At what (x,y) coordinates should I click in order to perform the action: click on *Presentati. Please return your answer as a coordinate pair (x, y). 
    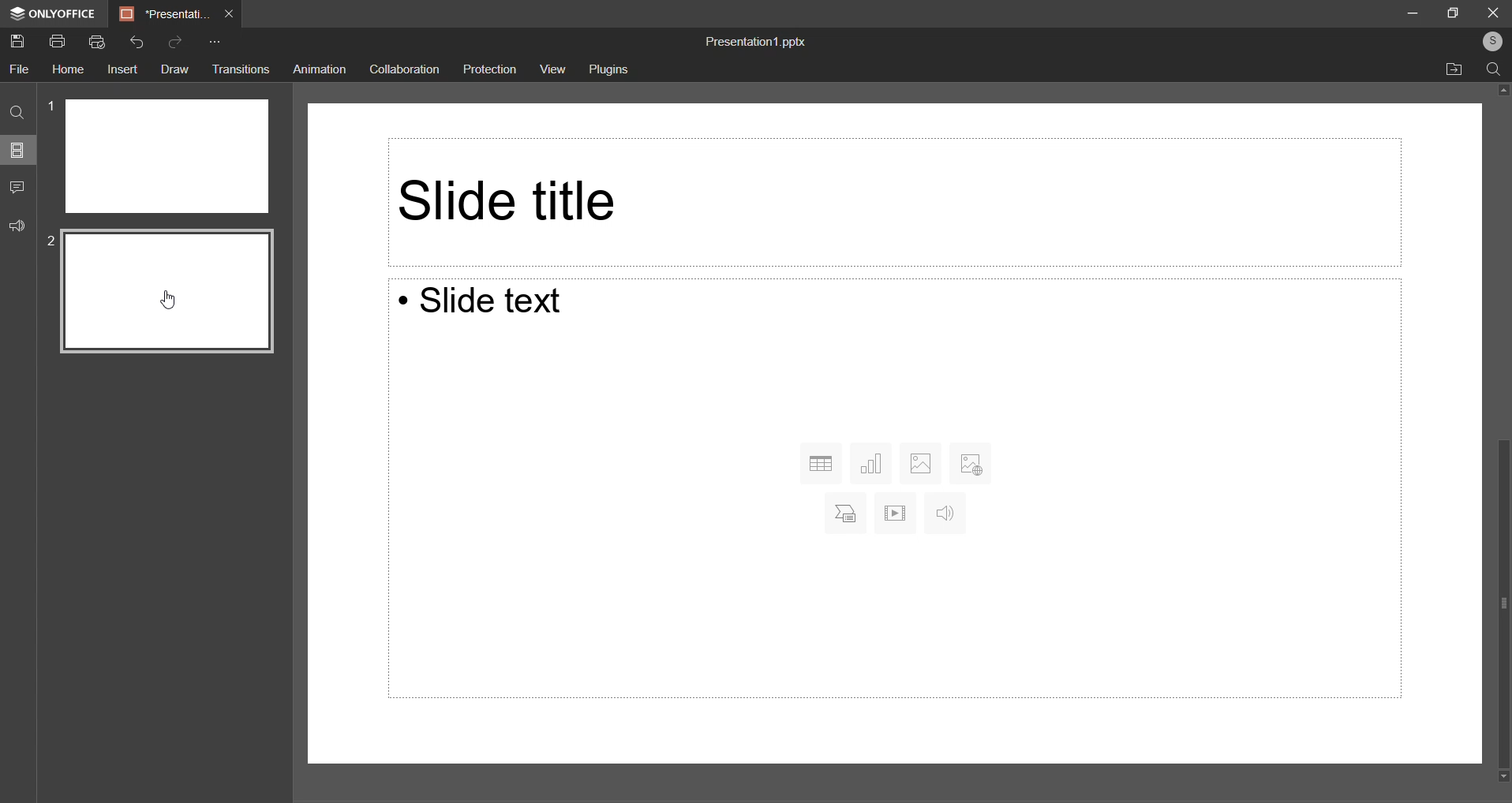
    Looking at the image, I should click on (165, 13).